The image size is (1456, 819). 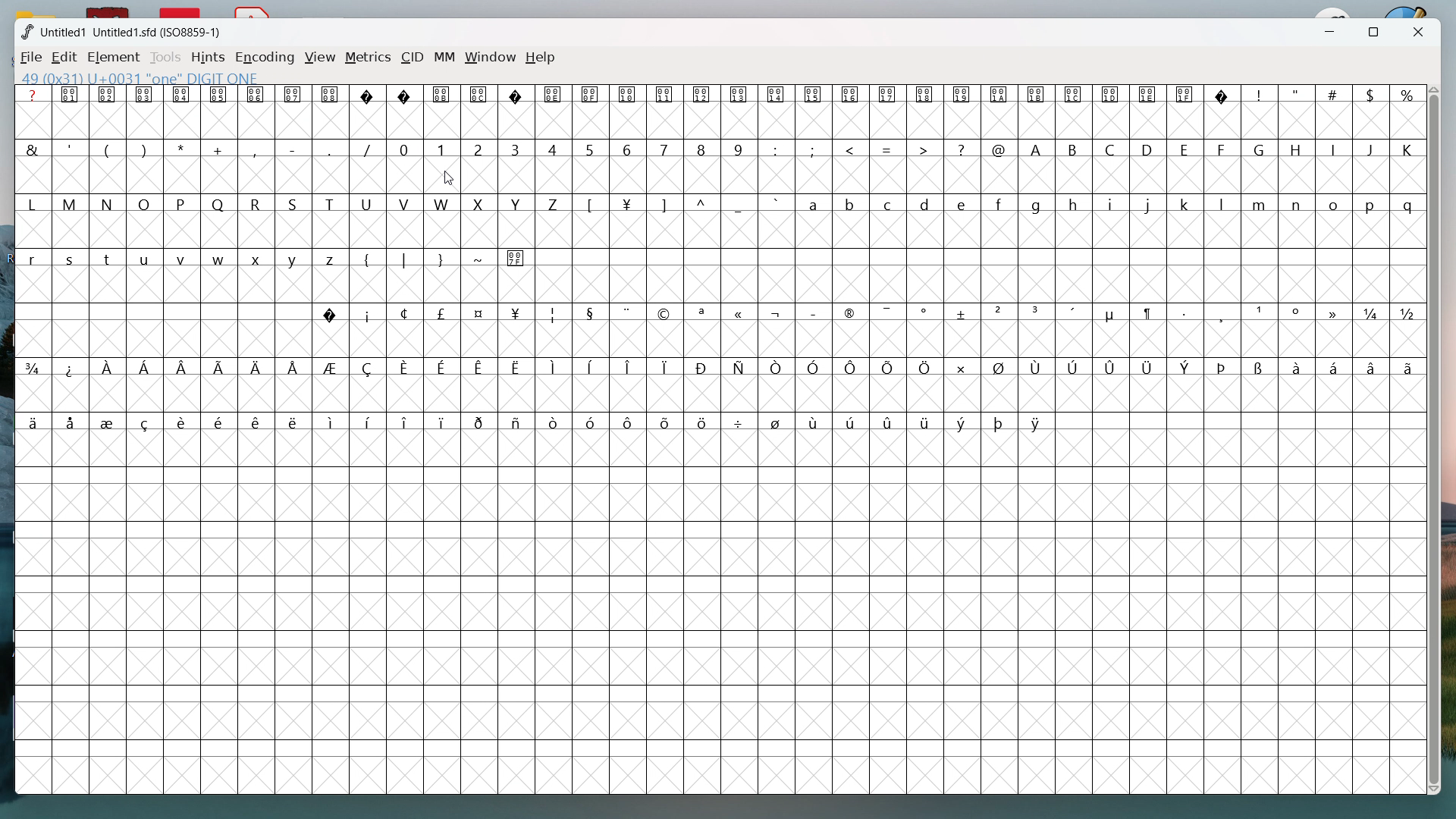 What do you see at coordinates (1072, 367) in the screenshot?
I see `symbol` at bounding box center [1072, 367].